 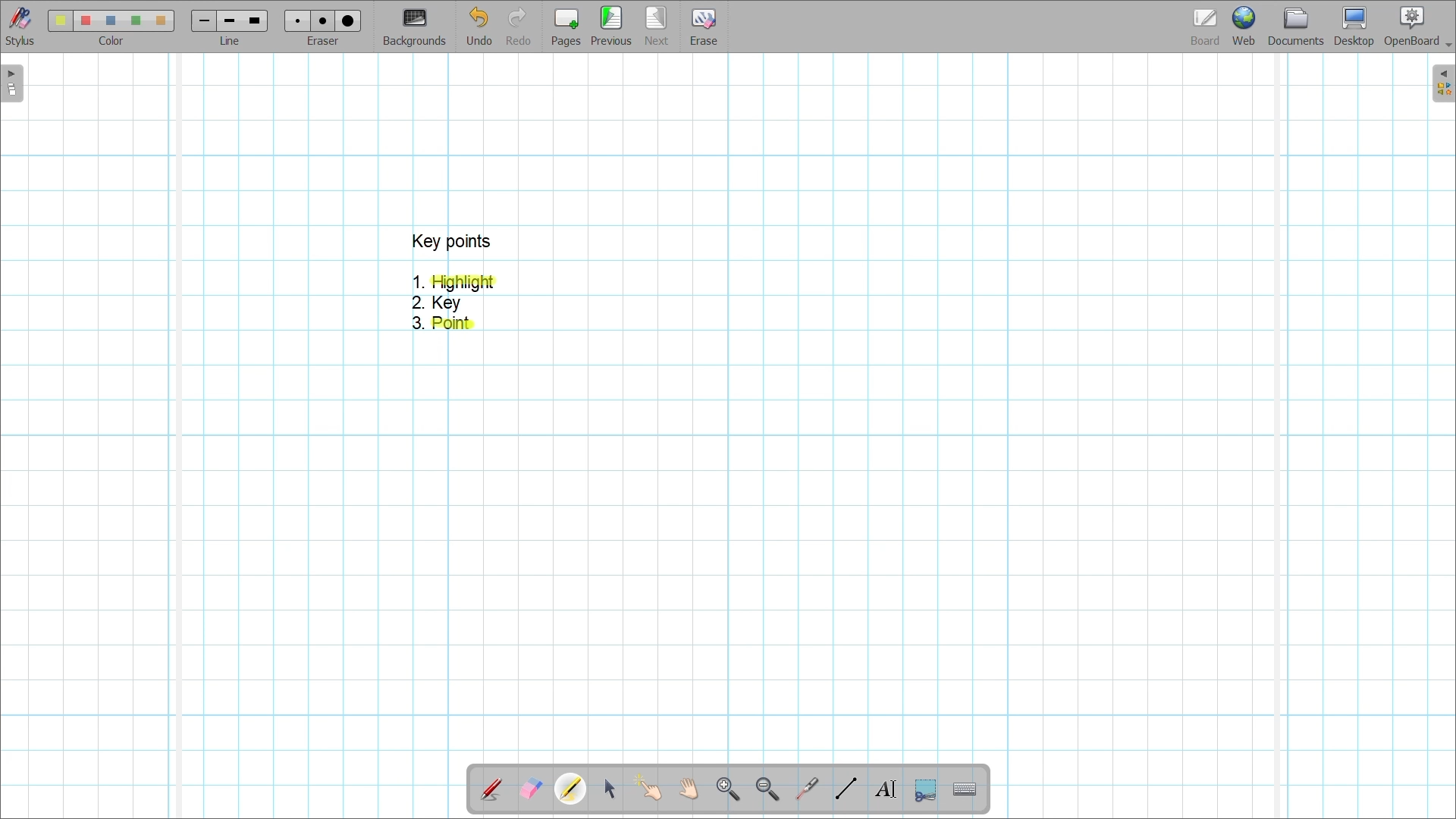 What do you see at coordinates (227, 21) in the screenshot?
I see `line 2` at bounding box center [227, 21].